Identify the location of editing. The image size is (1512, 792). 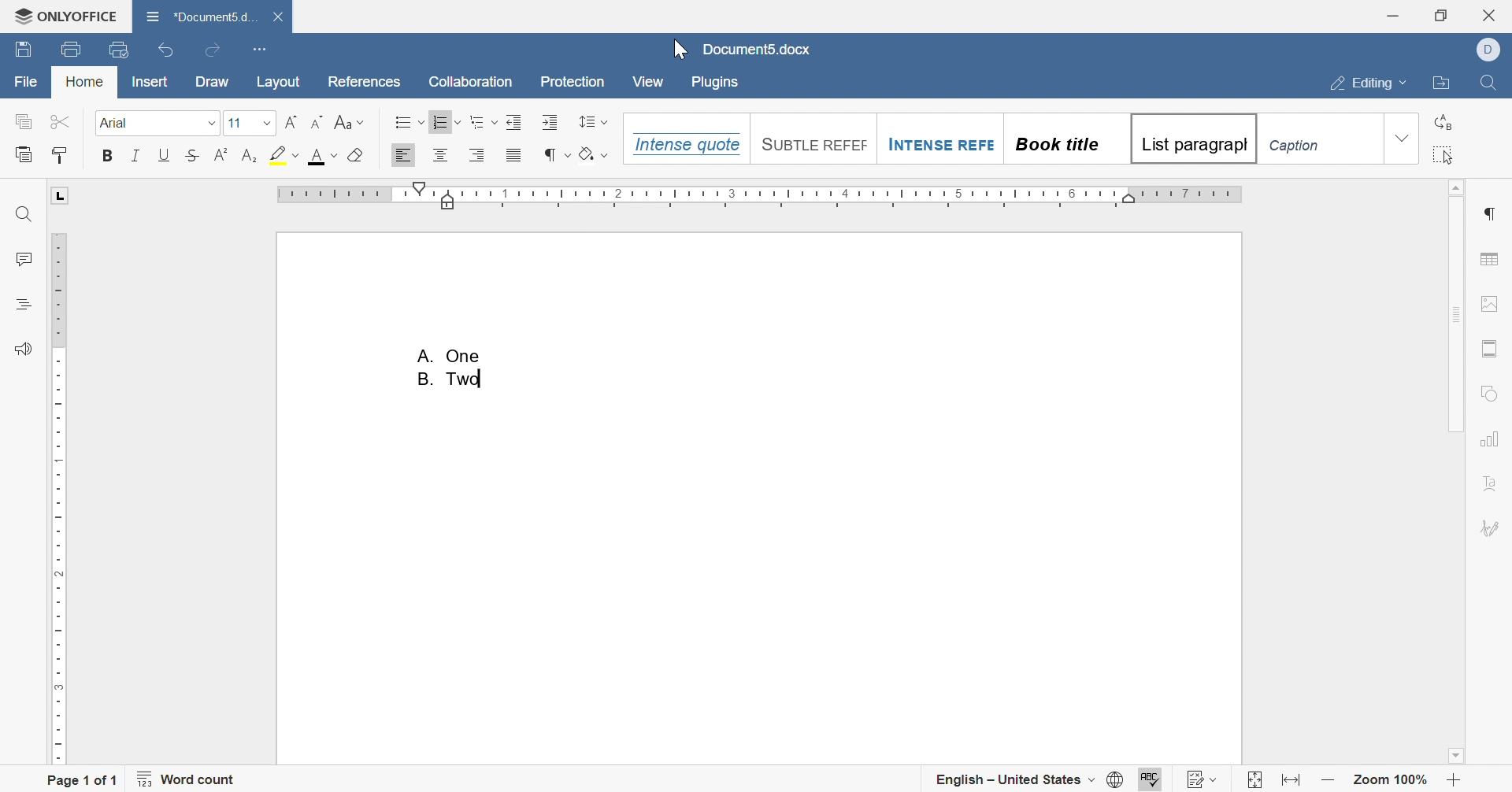
(1370, 83).